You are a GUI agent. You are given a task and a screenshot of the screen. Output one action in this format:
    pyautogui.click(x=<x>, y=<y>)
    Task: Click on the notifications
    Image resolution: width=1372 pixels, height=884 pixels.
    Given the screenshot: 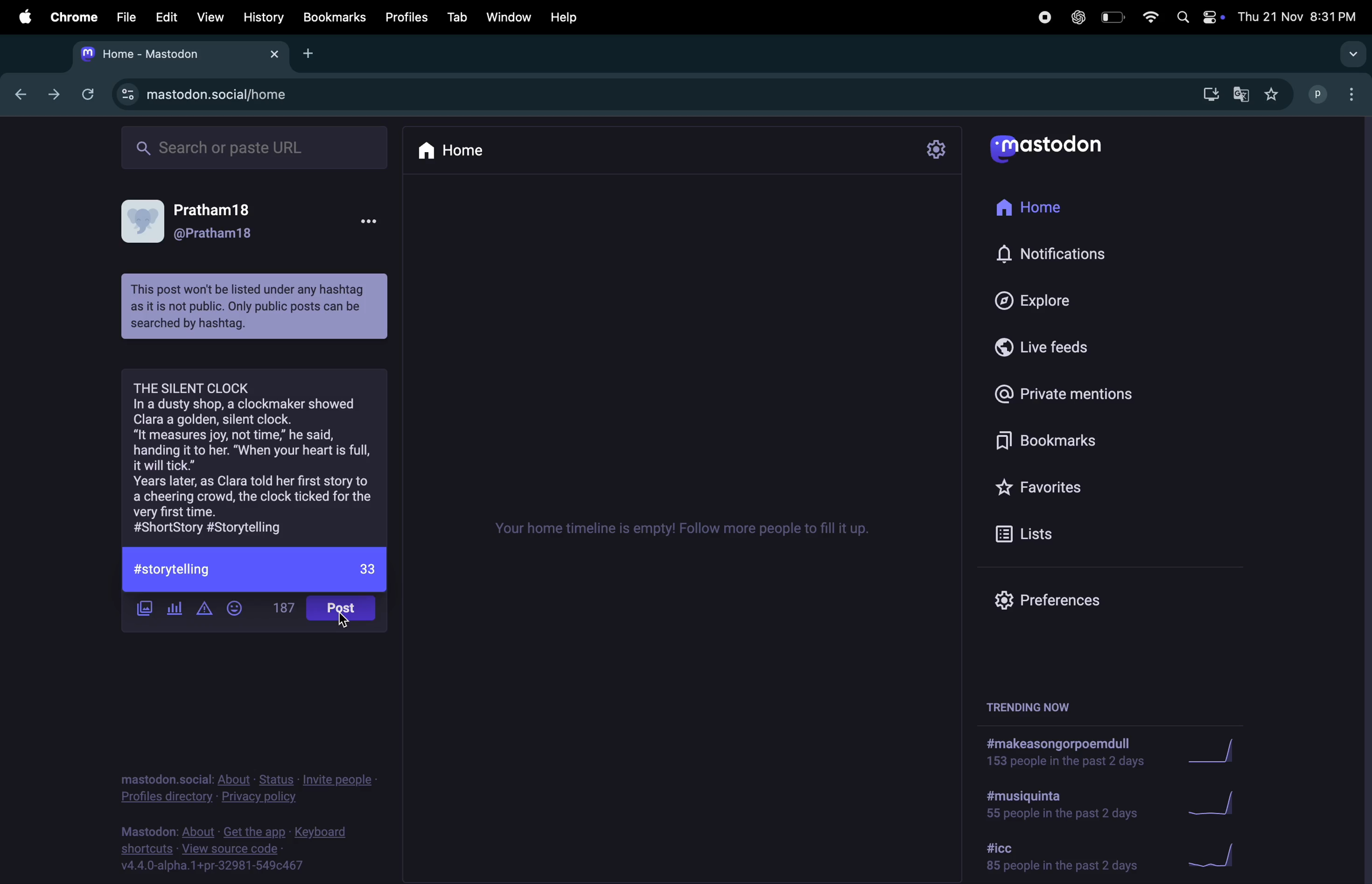 What is the action you would take?
    pyautogui.click(x=1056, y=253)
    